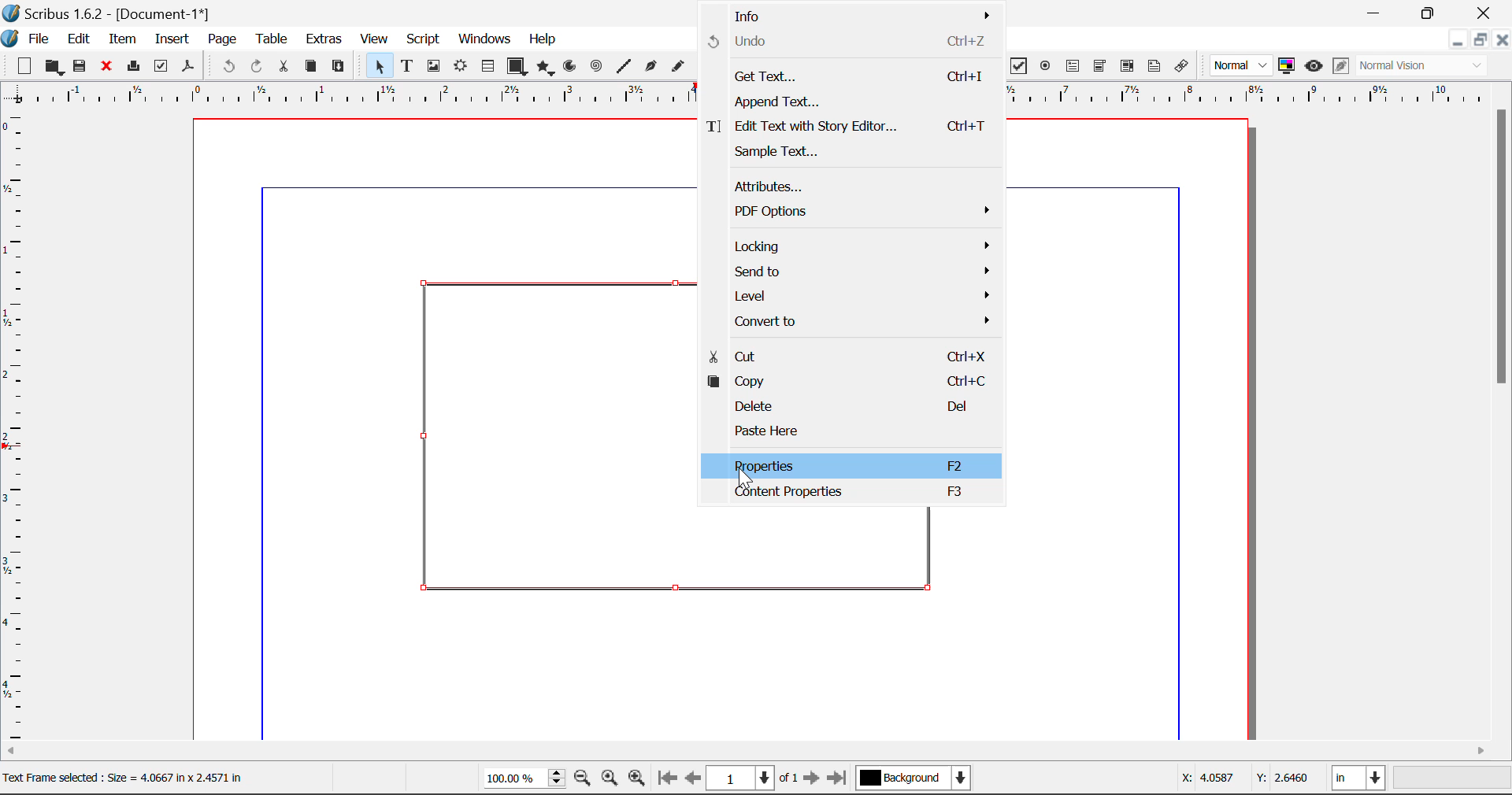  I want to click on Edit in Preview Mode, so click(1340, 68).